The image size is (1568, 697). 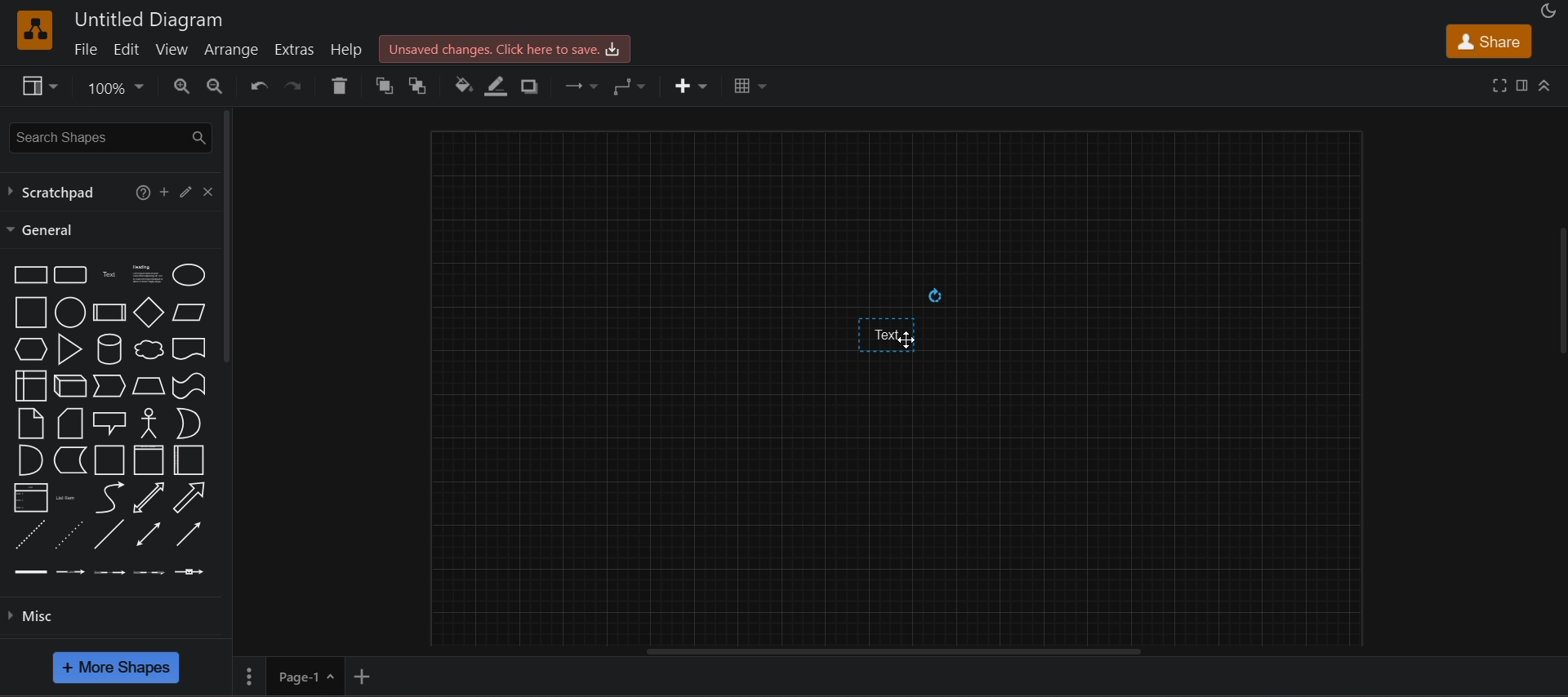 What do you see at coordinates (126, 49) in the screenshot?
I see `edit` at bounding box center [126, 49].